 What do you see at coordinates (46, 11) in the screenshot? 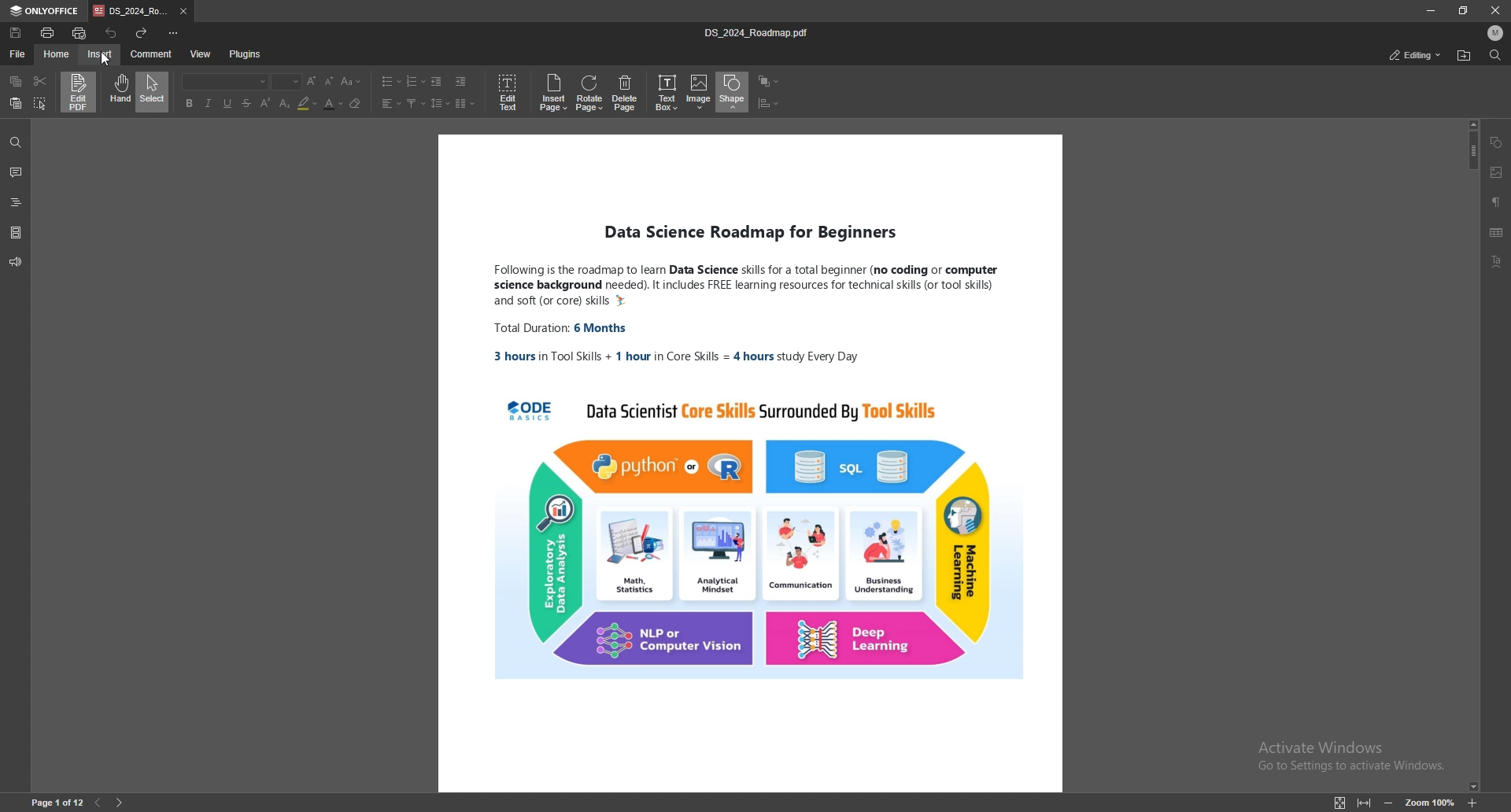
I see `onlyoffice` at bounding box center [46, 11].